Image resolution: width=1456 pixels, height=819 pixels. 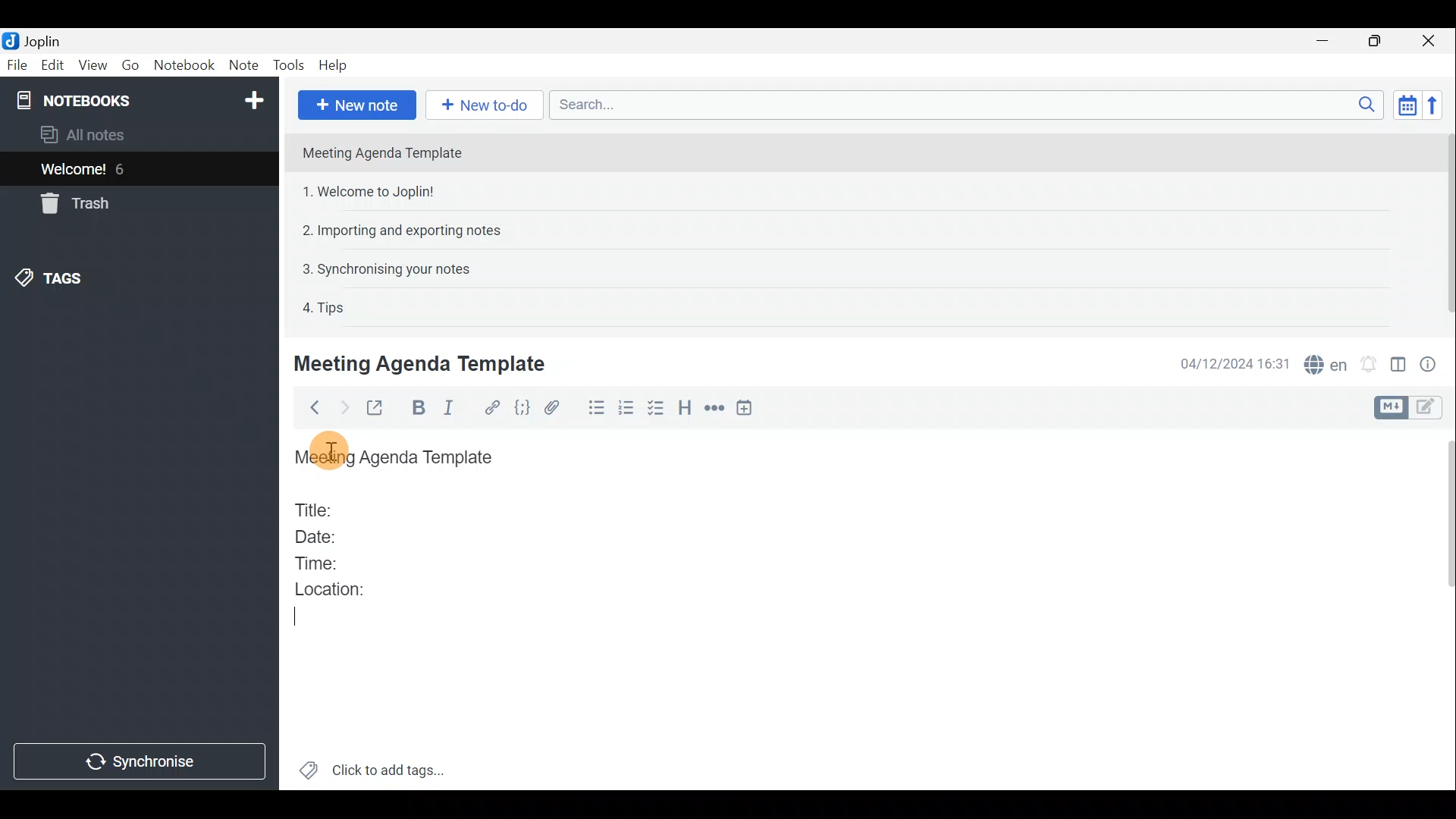 What do you see at coordinates (293, 618) in the screenshot?
I see `Cursor` at bounding box center [293, 618].